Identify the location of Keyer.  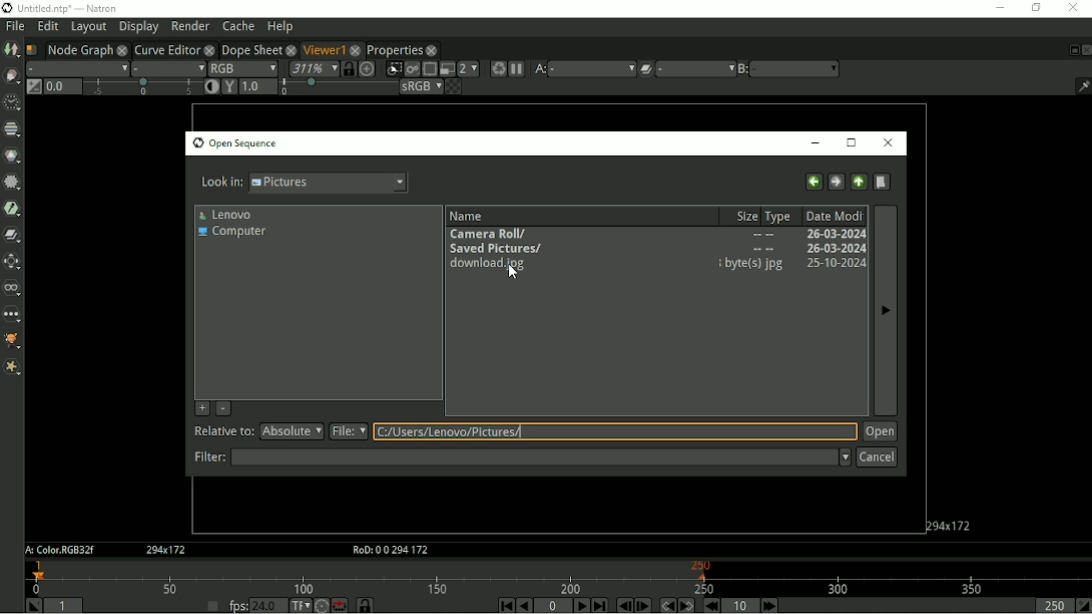
(12, 209).